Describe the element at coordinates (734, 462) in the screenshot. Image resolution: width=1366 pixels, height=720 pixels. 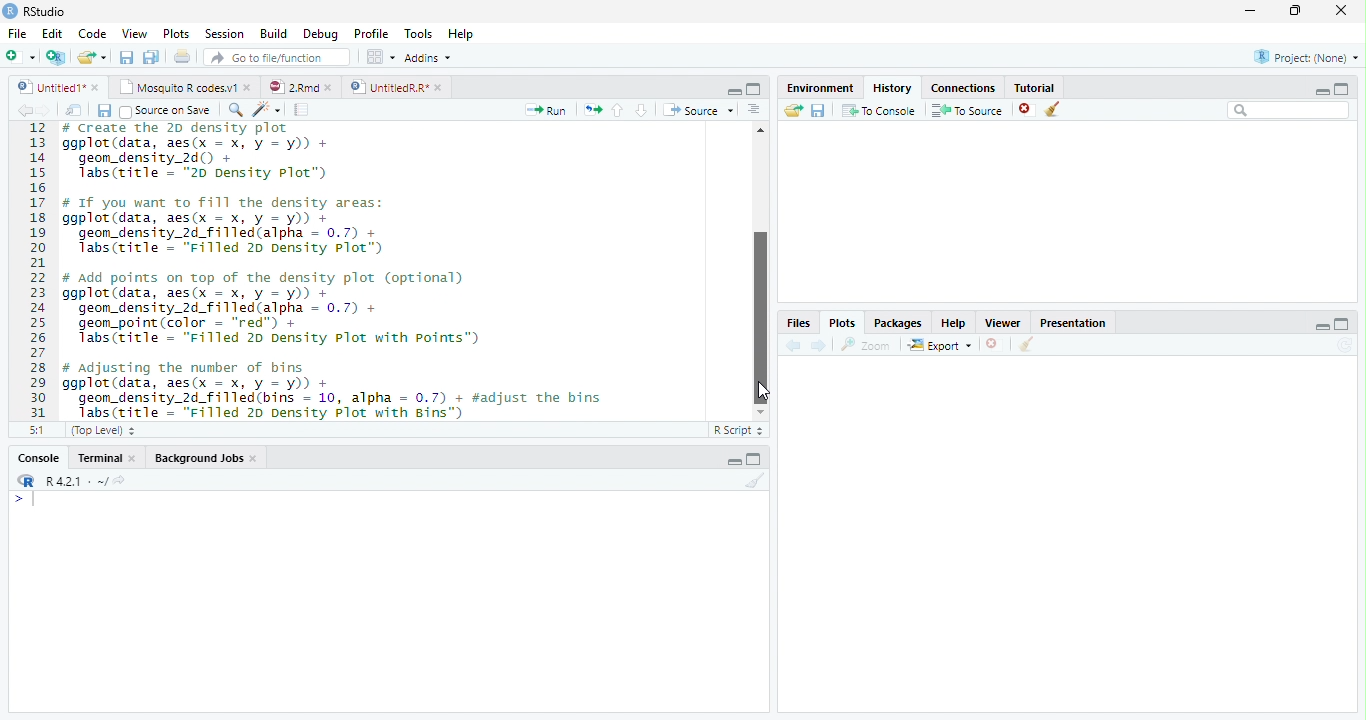
I see `minimize` at that location.